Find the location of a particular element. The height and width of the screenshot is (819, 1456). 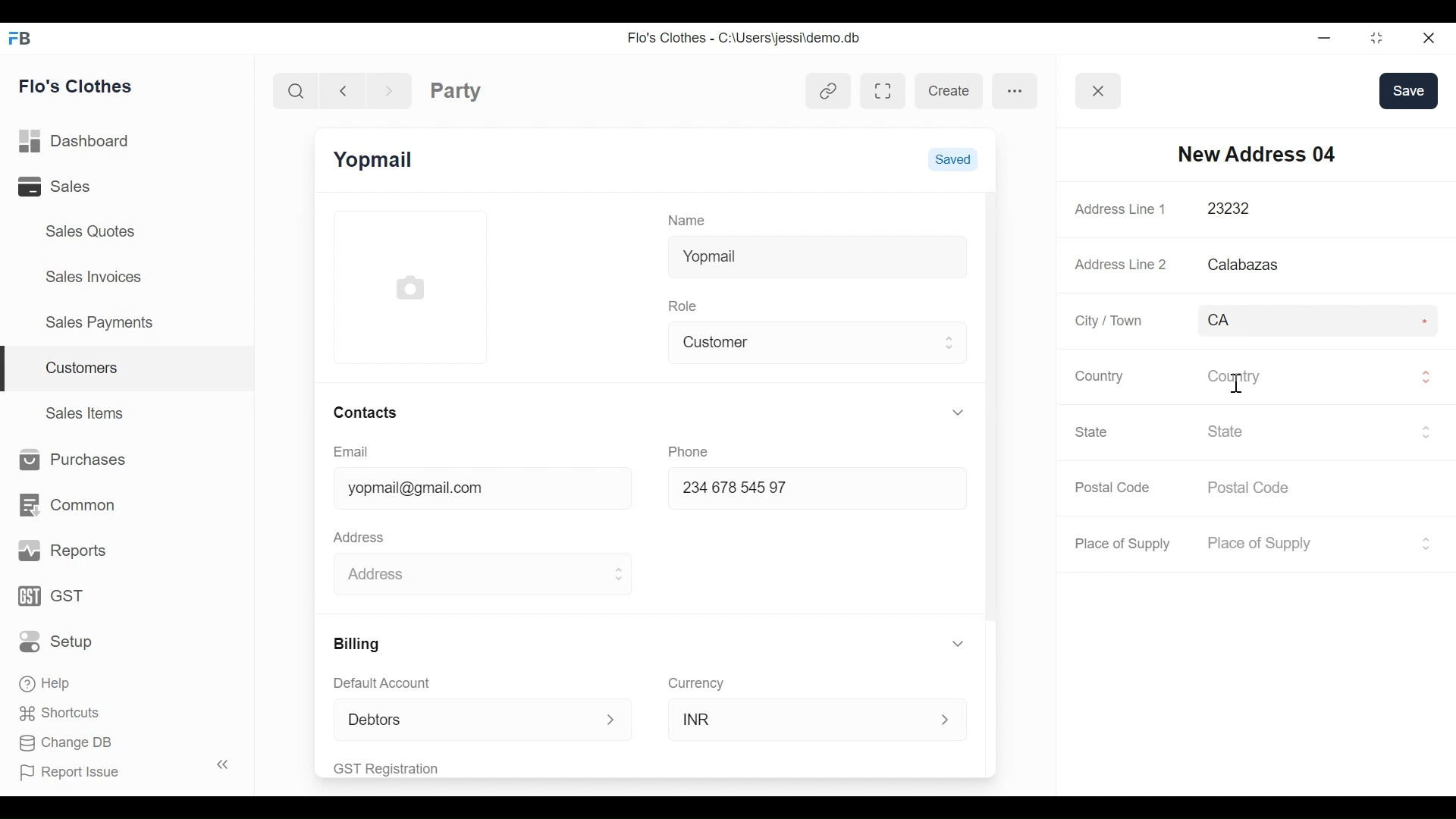

Role is located at coordinates (686, 304).